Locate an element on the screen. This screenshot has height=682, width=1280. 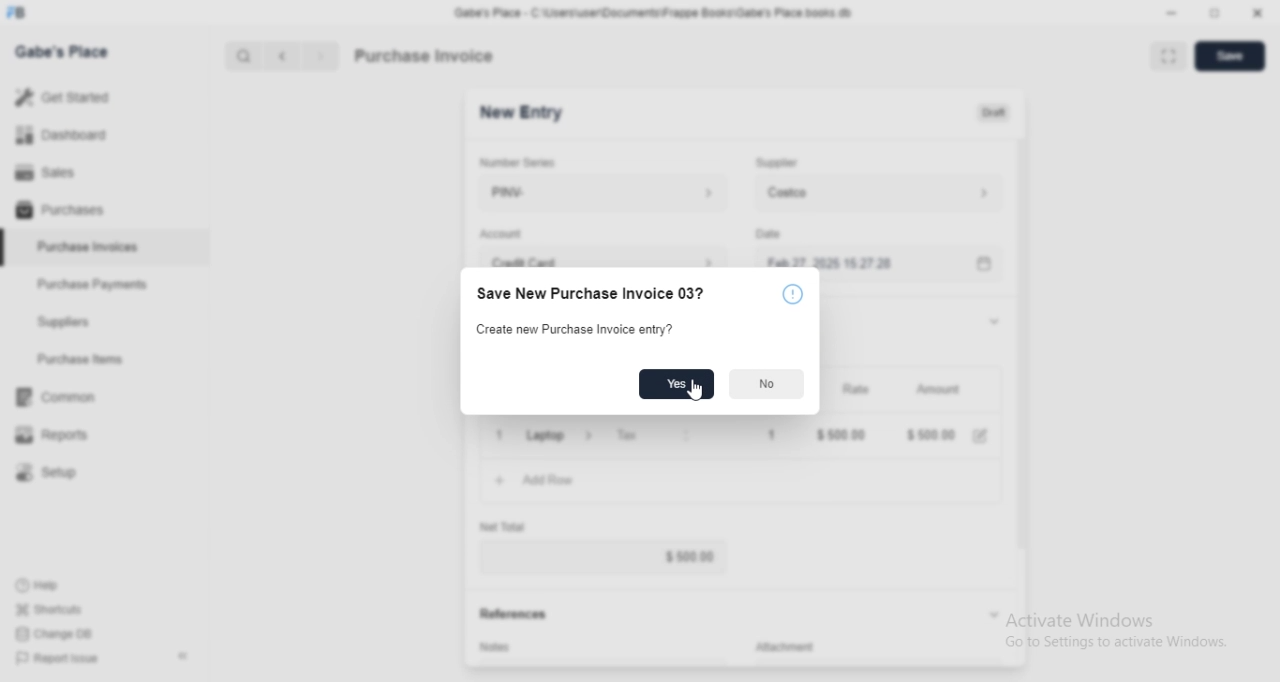
Collapse is located at coordinates (183, 656).